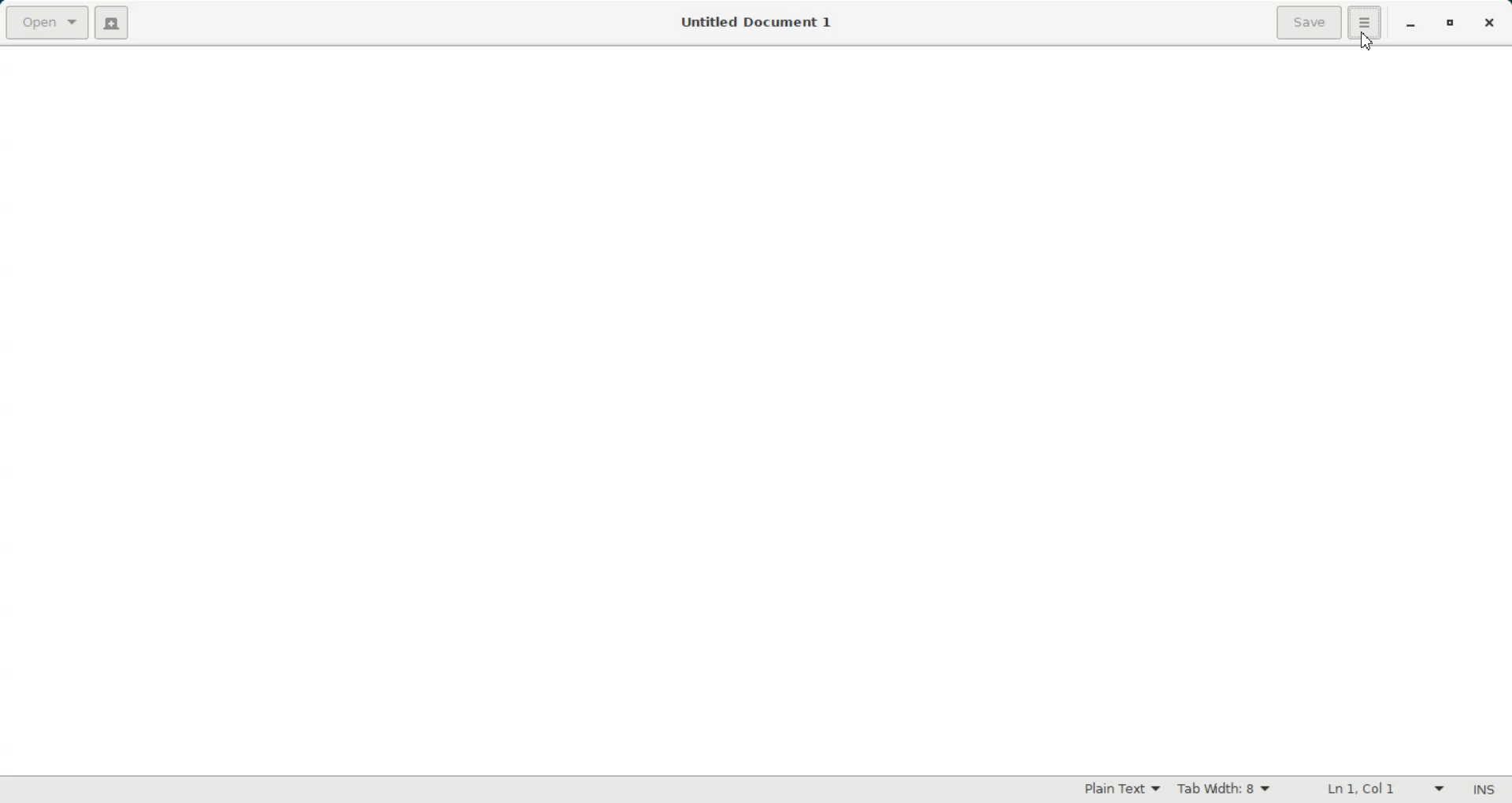  Describe the element at coordinates (1307, 23) in the screenshot. I see `Save` at that location.